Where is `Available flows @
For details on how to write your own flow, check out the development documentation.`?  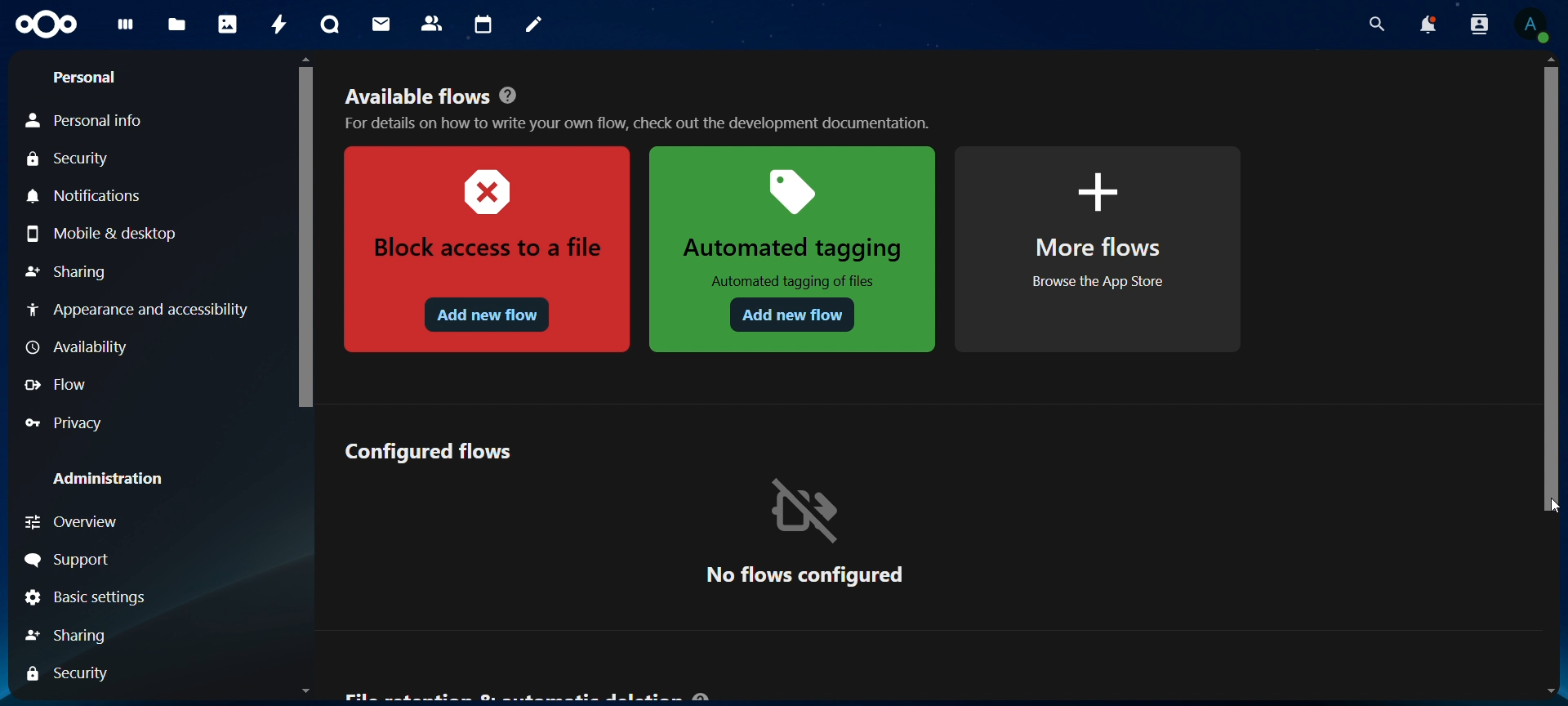
Available flows @
For details on how to write your own flow, check out the development documentation. is located at coordinates (640, 104).